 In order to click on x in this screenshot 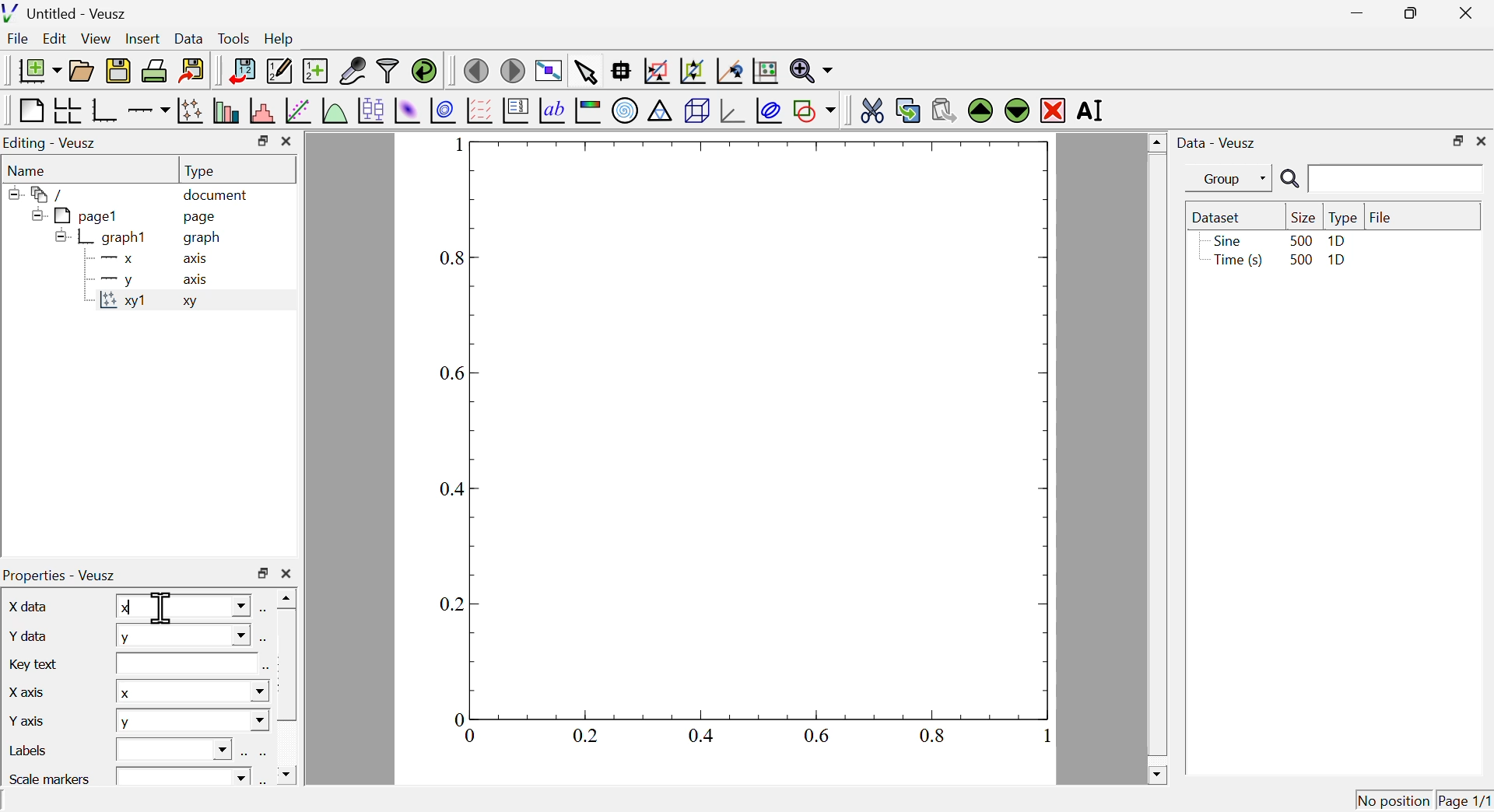, I will do `click(113, 261)`.